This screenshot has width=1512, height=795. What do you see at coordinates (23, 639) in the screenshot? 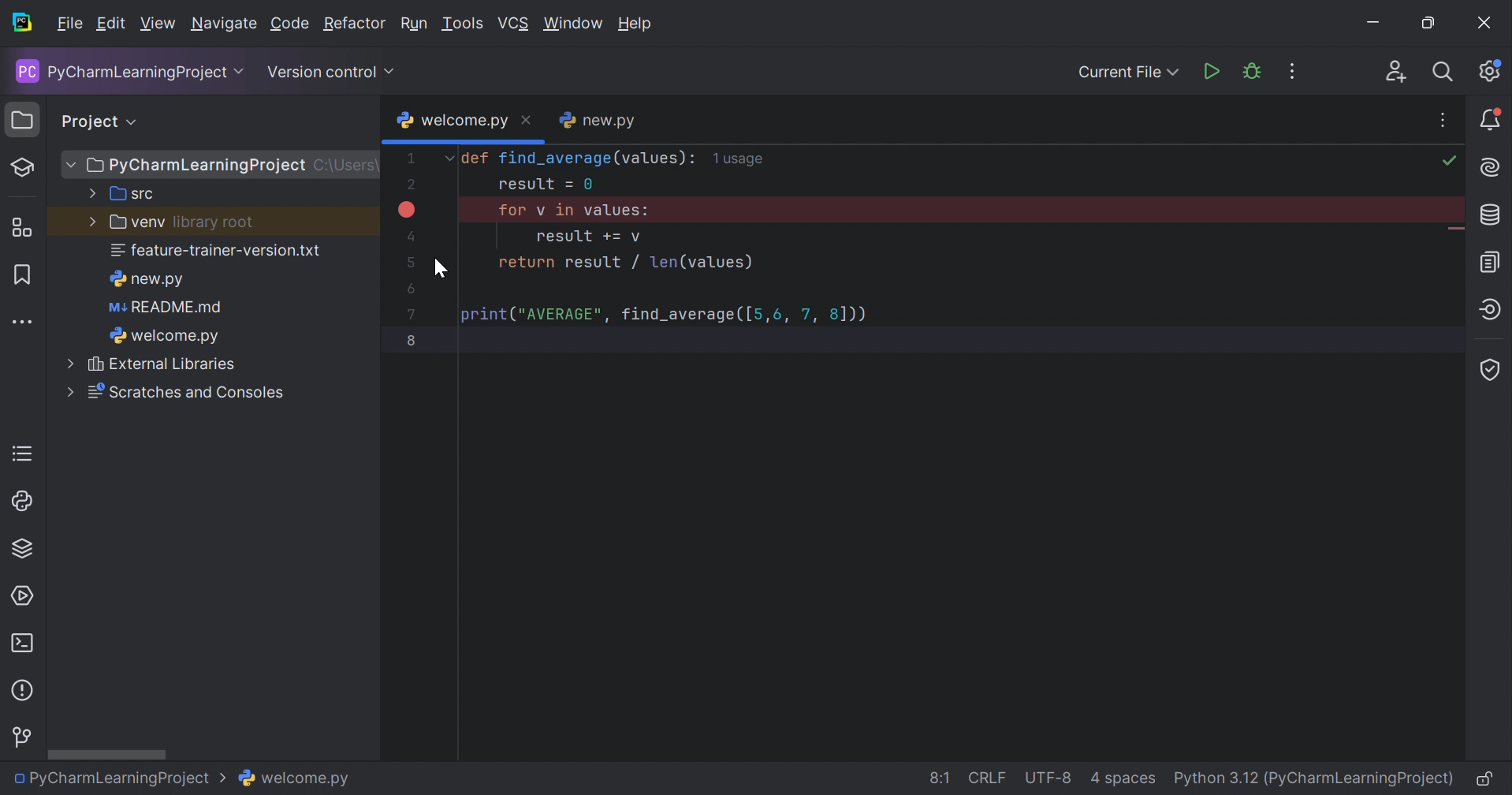
I see `Terminal` at bounding box center [23, 639].